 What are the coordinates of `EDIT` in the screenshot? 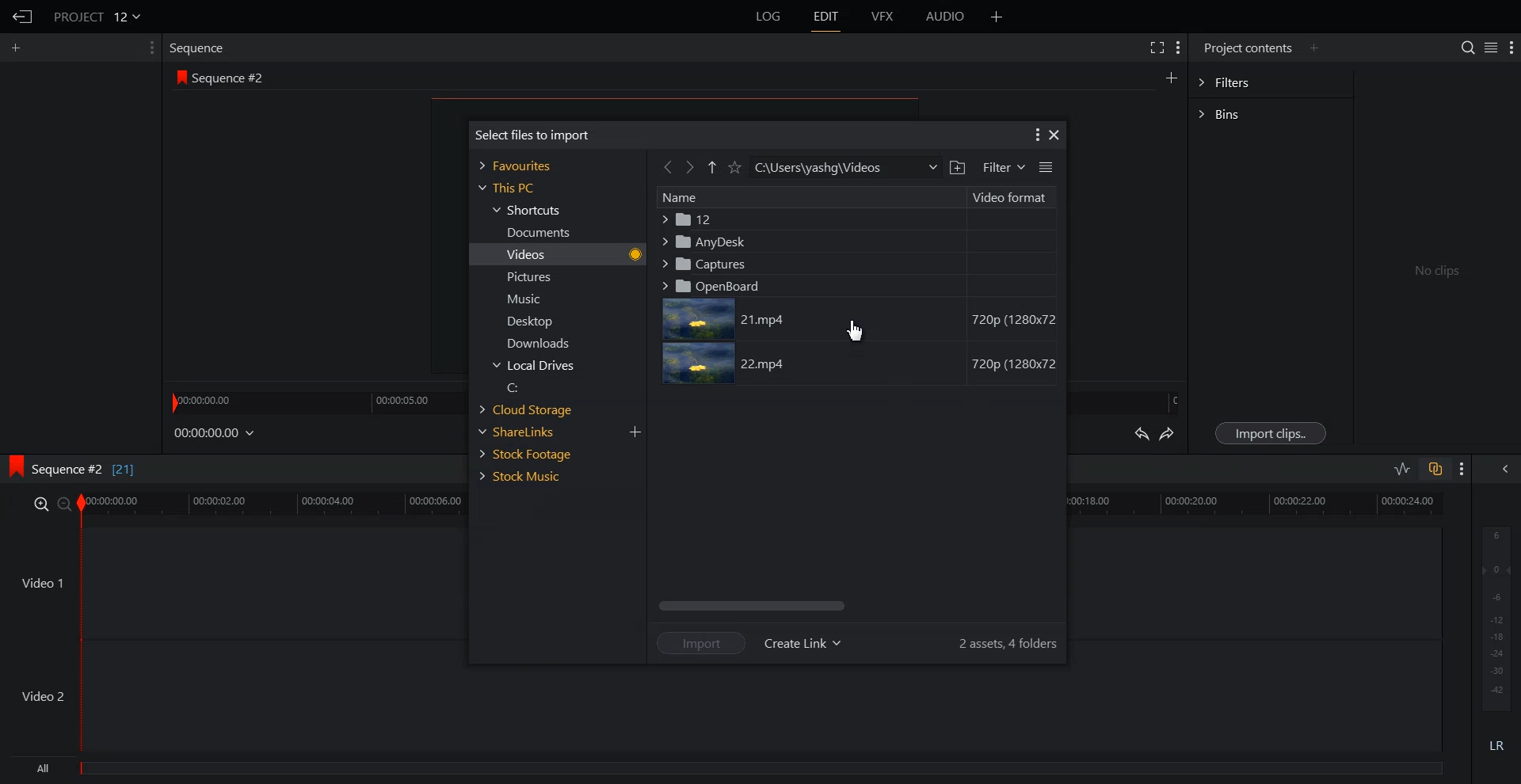 It's located at (829, 17).